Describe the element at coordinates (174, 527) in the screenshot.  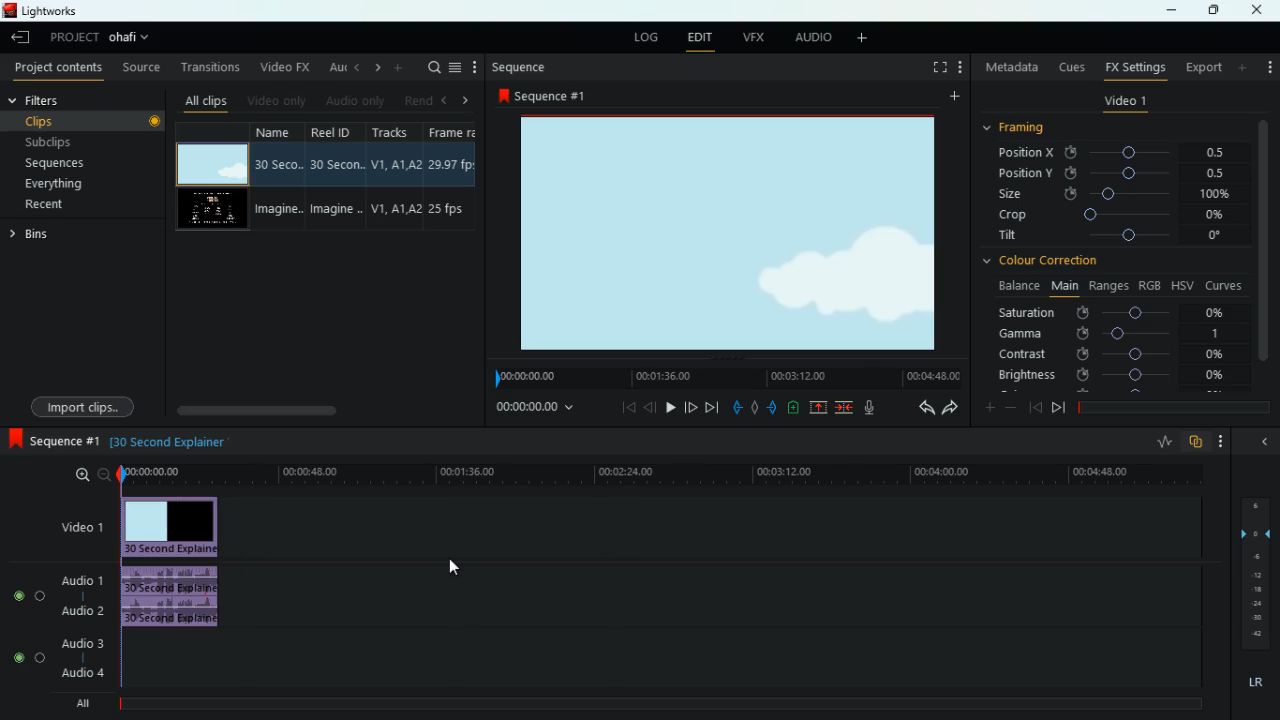
I see `video` at that location.